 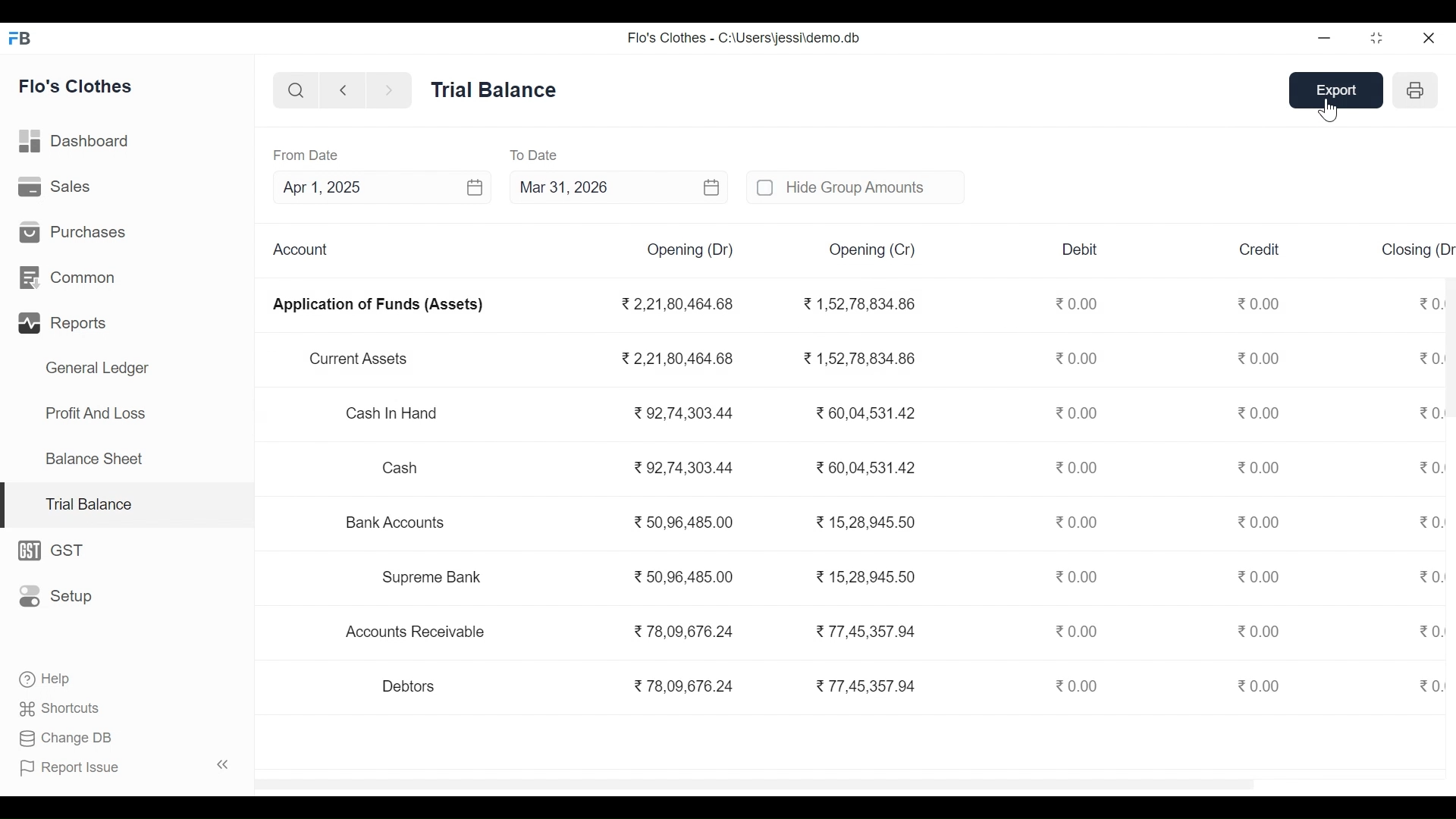 What do you see at coordinates (1415, 91) in the screenshot?
I see `Print` at bounding box center [1415, 91].